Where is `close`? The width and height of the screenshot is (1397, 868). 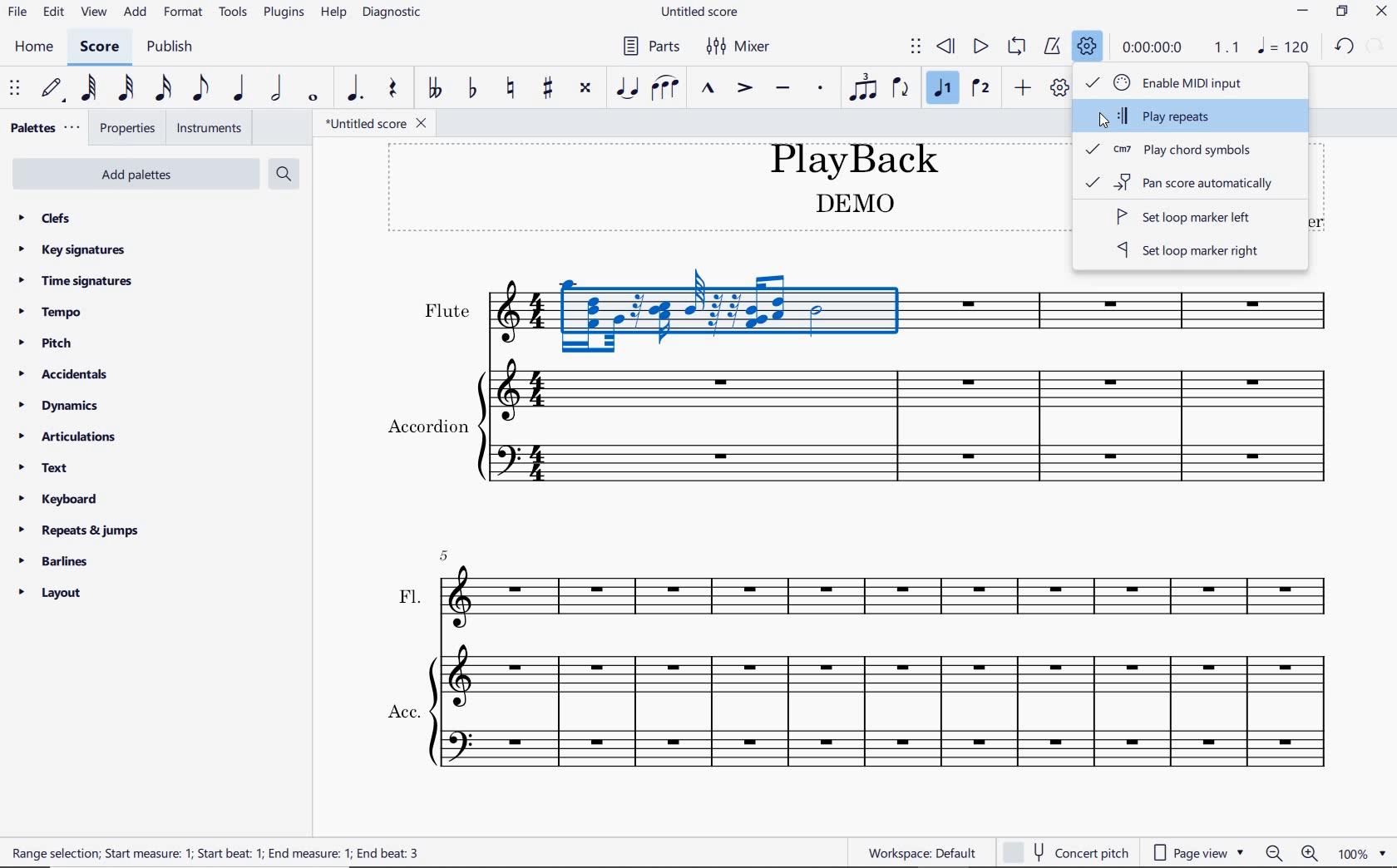 close is located at coordinates (1382, 12).